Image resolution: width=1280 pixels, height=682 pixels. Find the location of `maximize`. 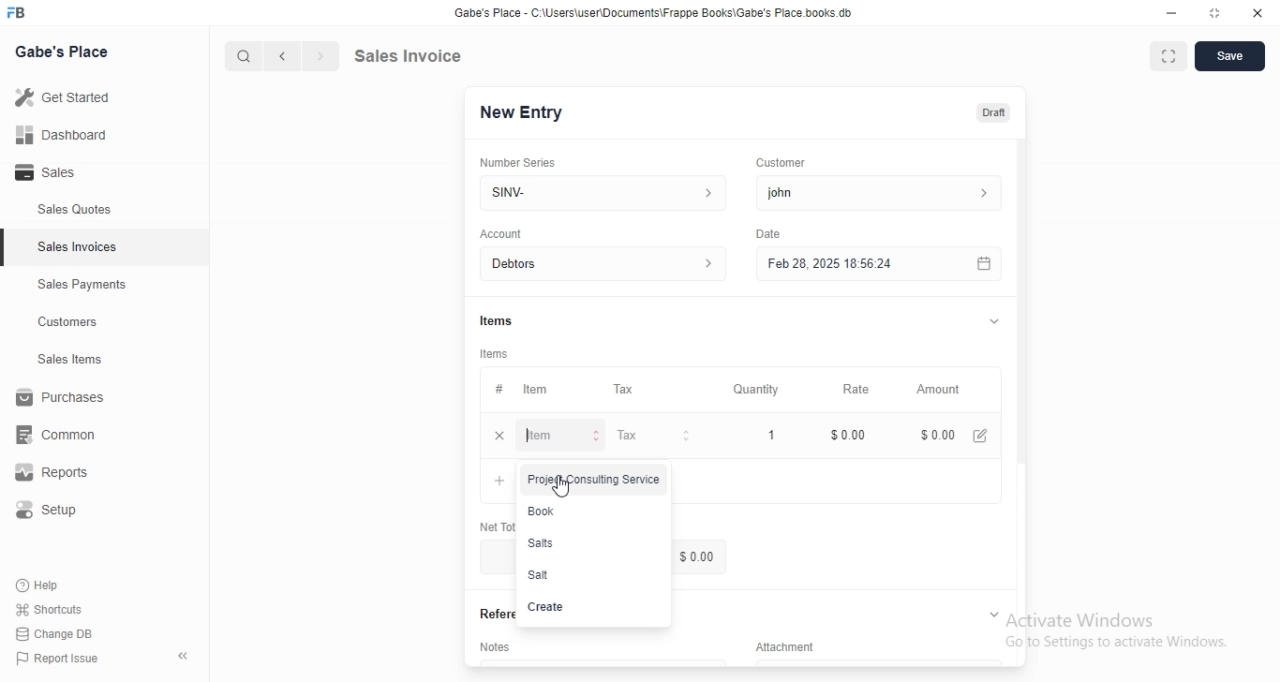

maximize is located at coordinates (1216, 15).